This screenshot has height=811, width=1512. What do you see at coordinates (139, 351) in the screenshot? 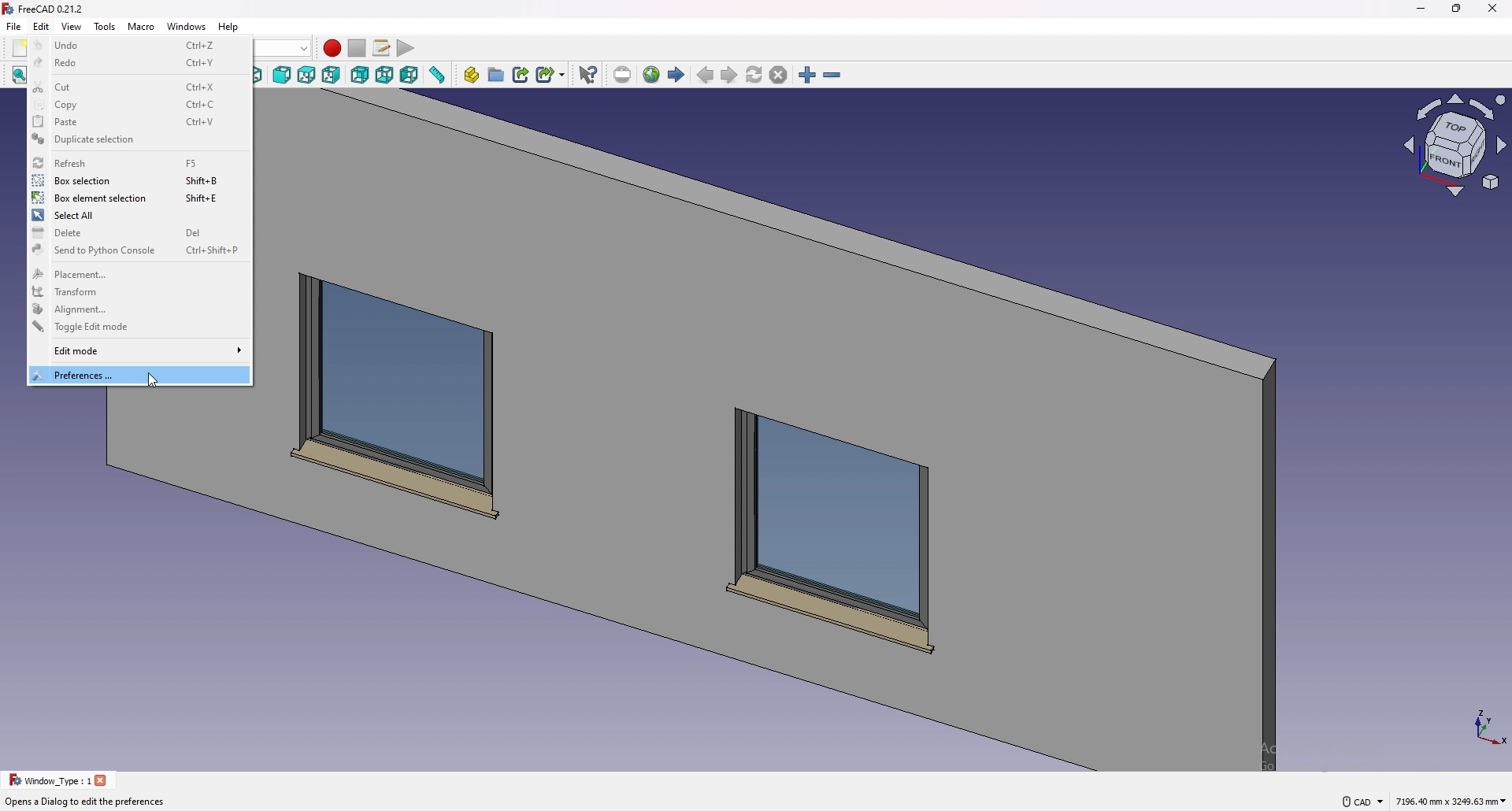
I see `edit mode` at bounding box center [139, 351].